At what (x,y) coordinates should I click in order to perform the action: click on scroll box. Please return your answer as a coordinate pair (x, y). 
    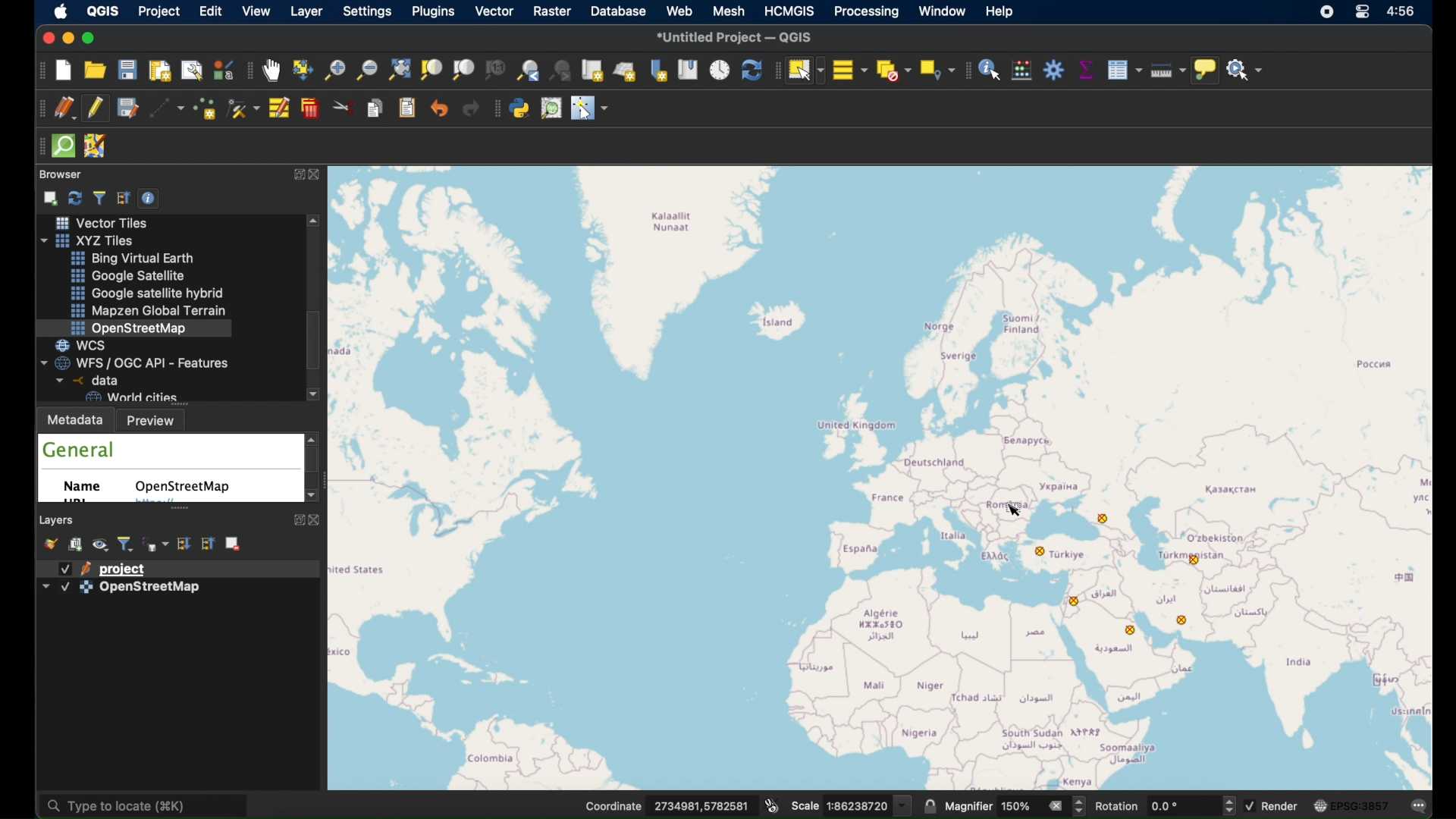
    Looking at the image, I should click on (317, 341).